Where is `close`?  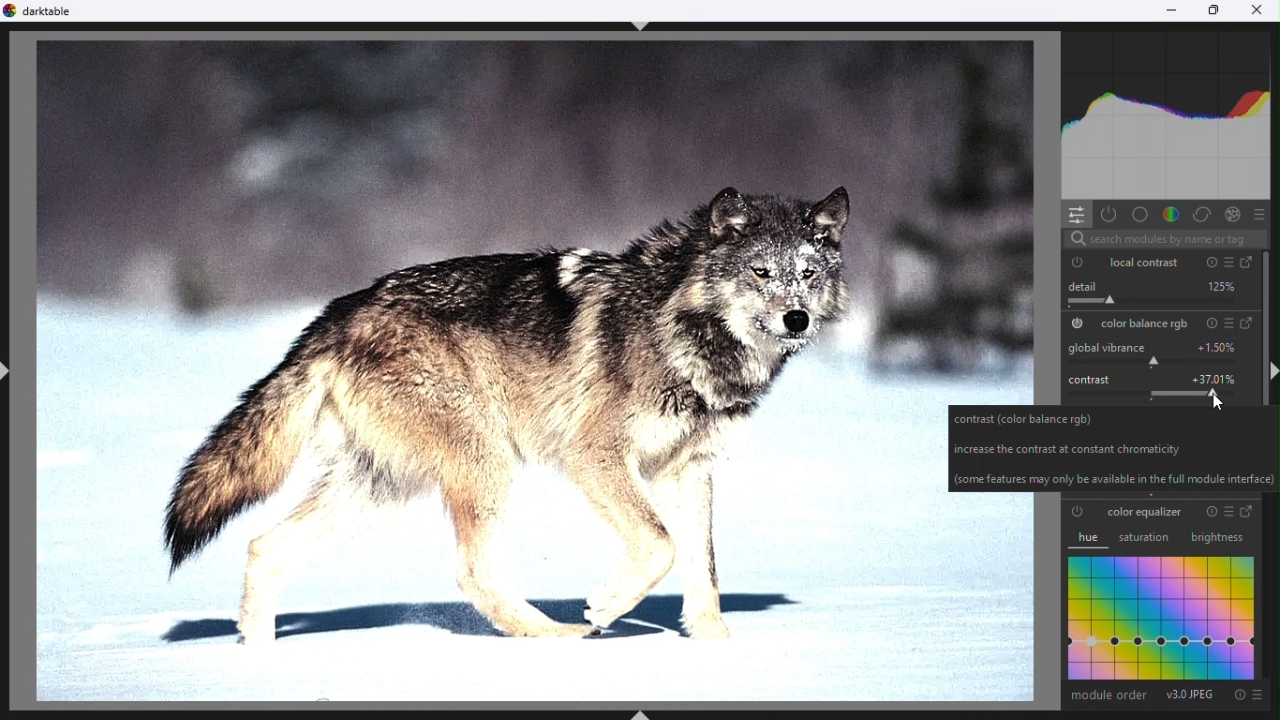 close is located at coordinates (1262, 11).